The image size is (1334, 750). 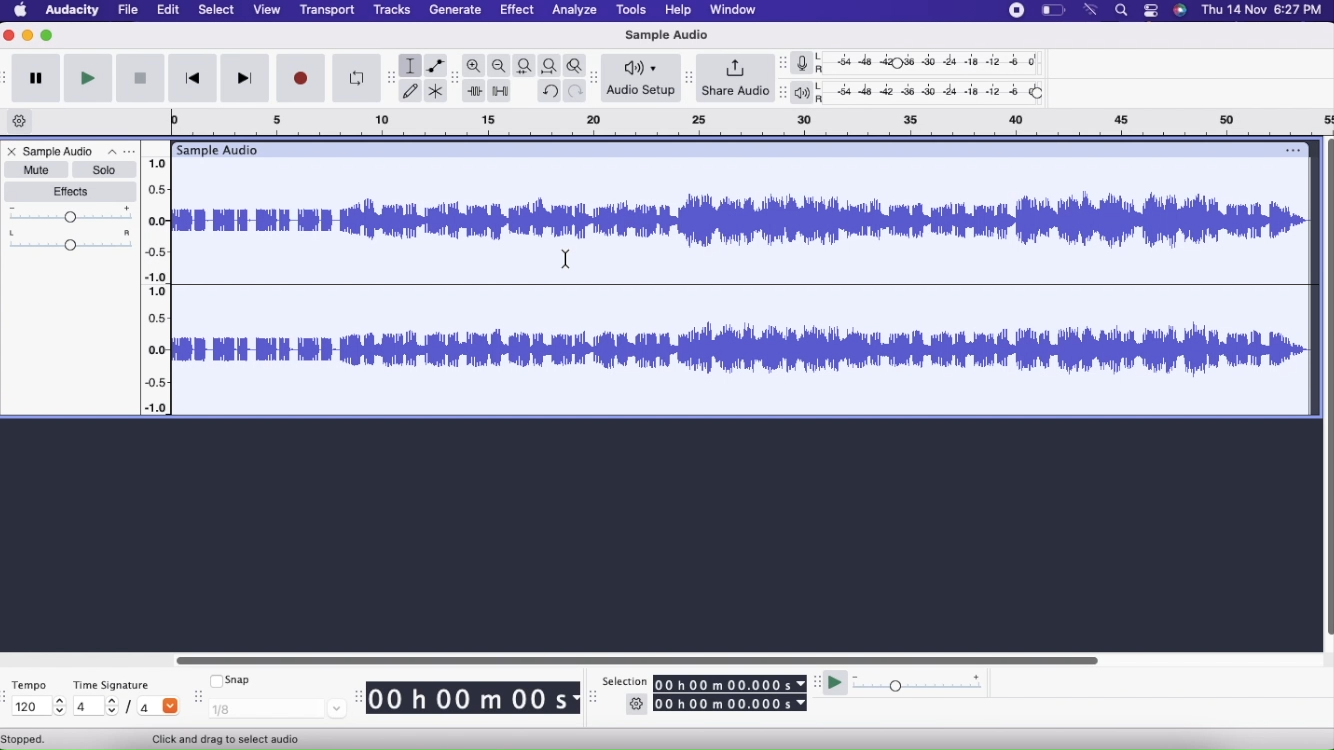 I want to click on 00 h 00 m 19 s, so click(x=474, y=699).